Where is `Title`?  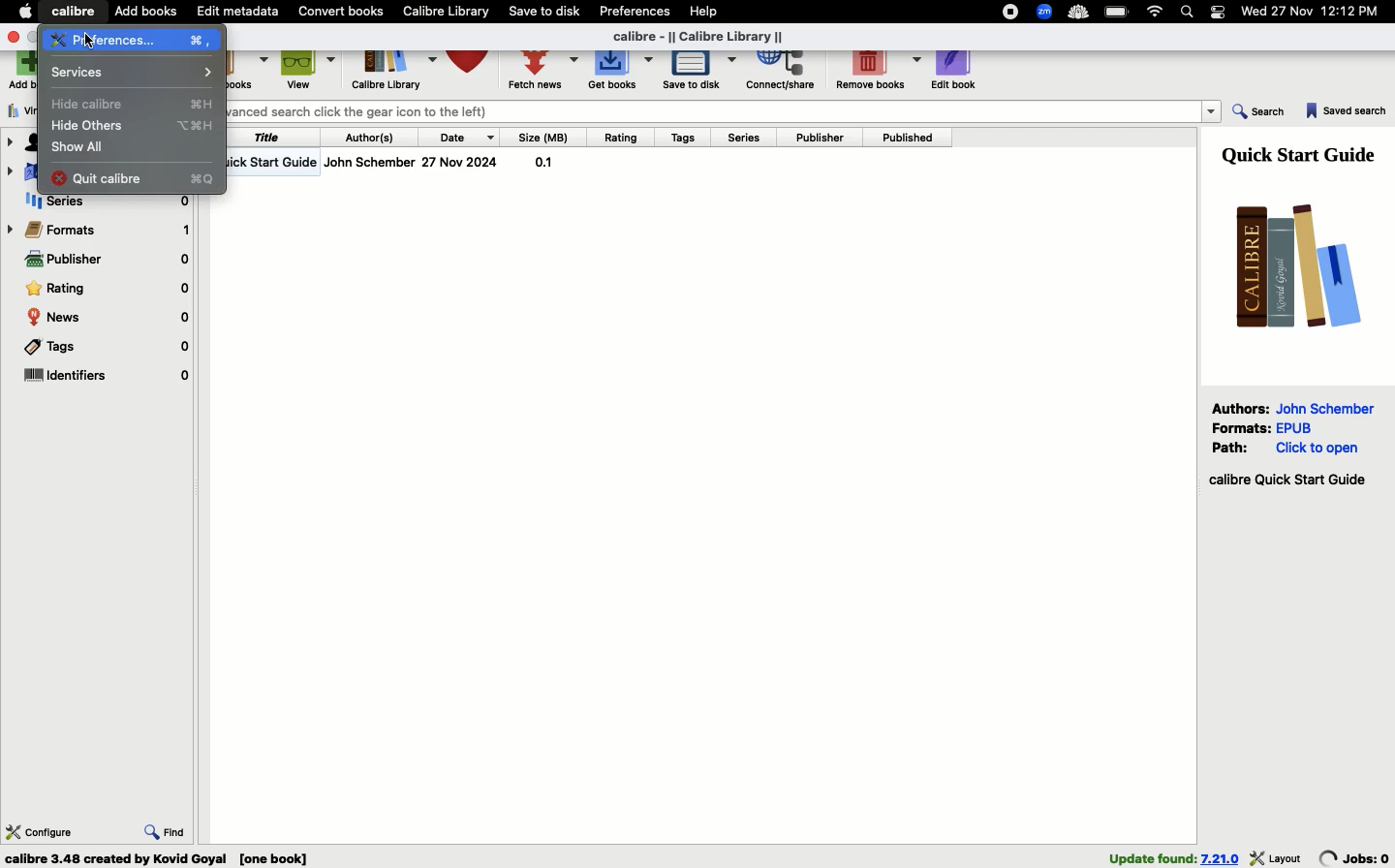 Title is located at coordinates (280, 137).